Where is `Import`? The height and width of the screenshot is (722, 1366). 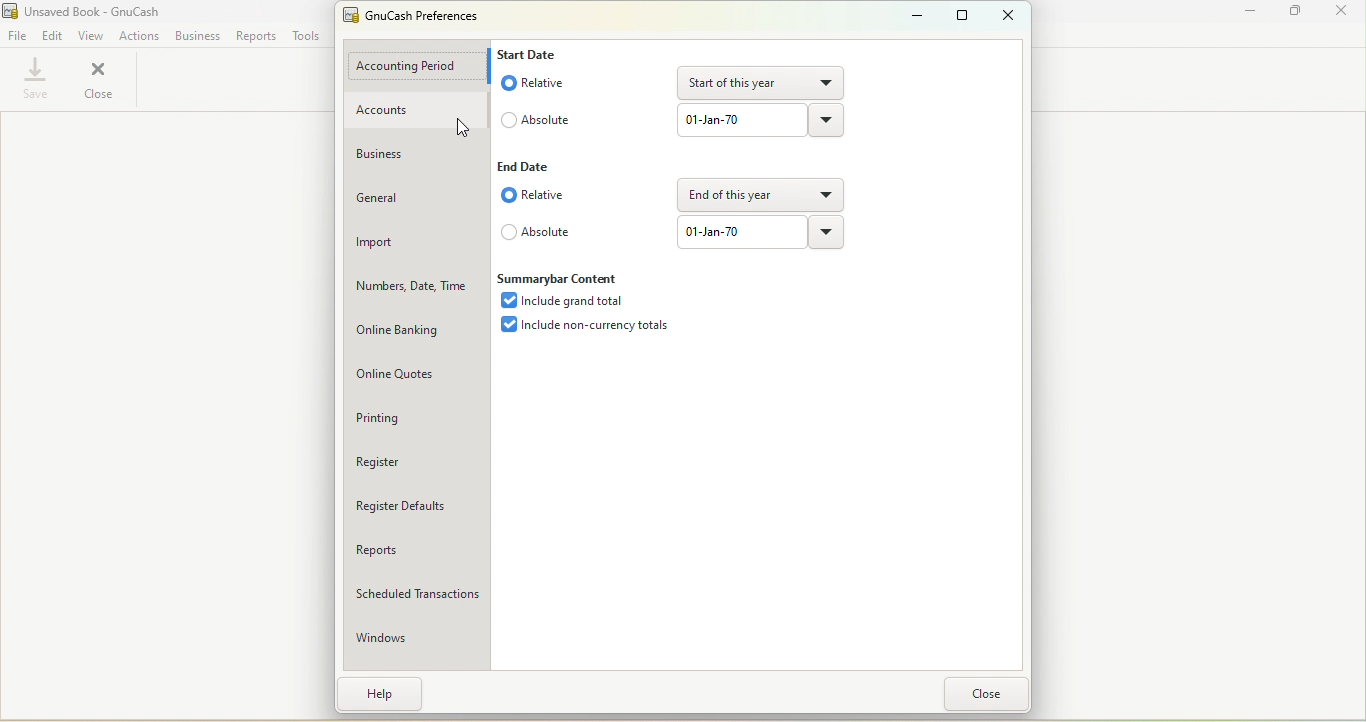 Import is located at coordinates (414, 242).